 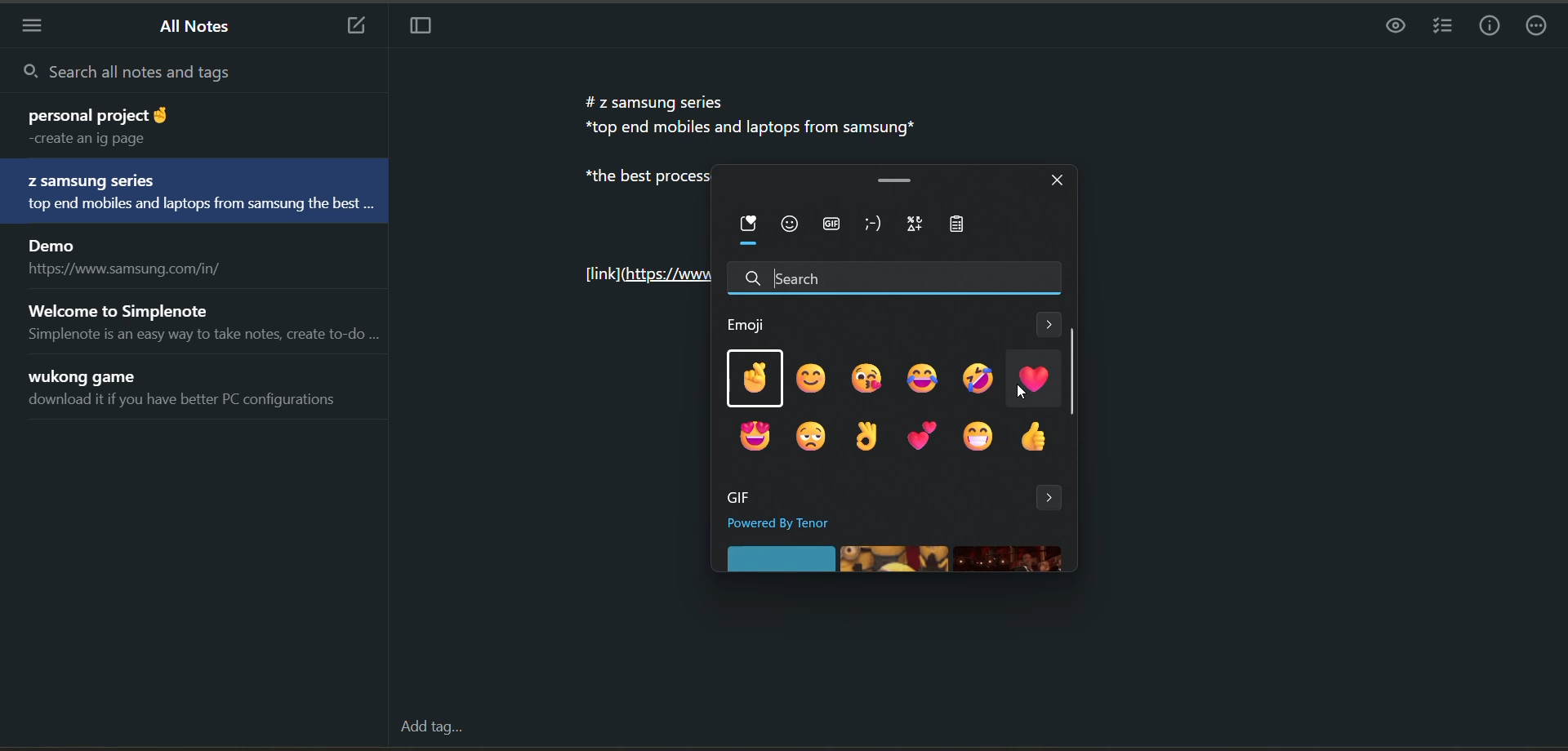 I want to click on emoji 5, so click(x=979, y=379).